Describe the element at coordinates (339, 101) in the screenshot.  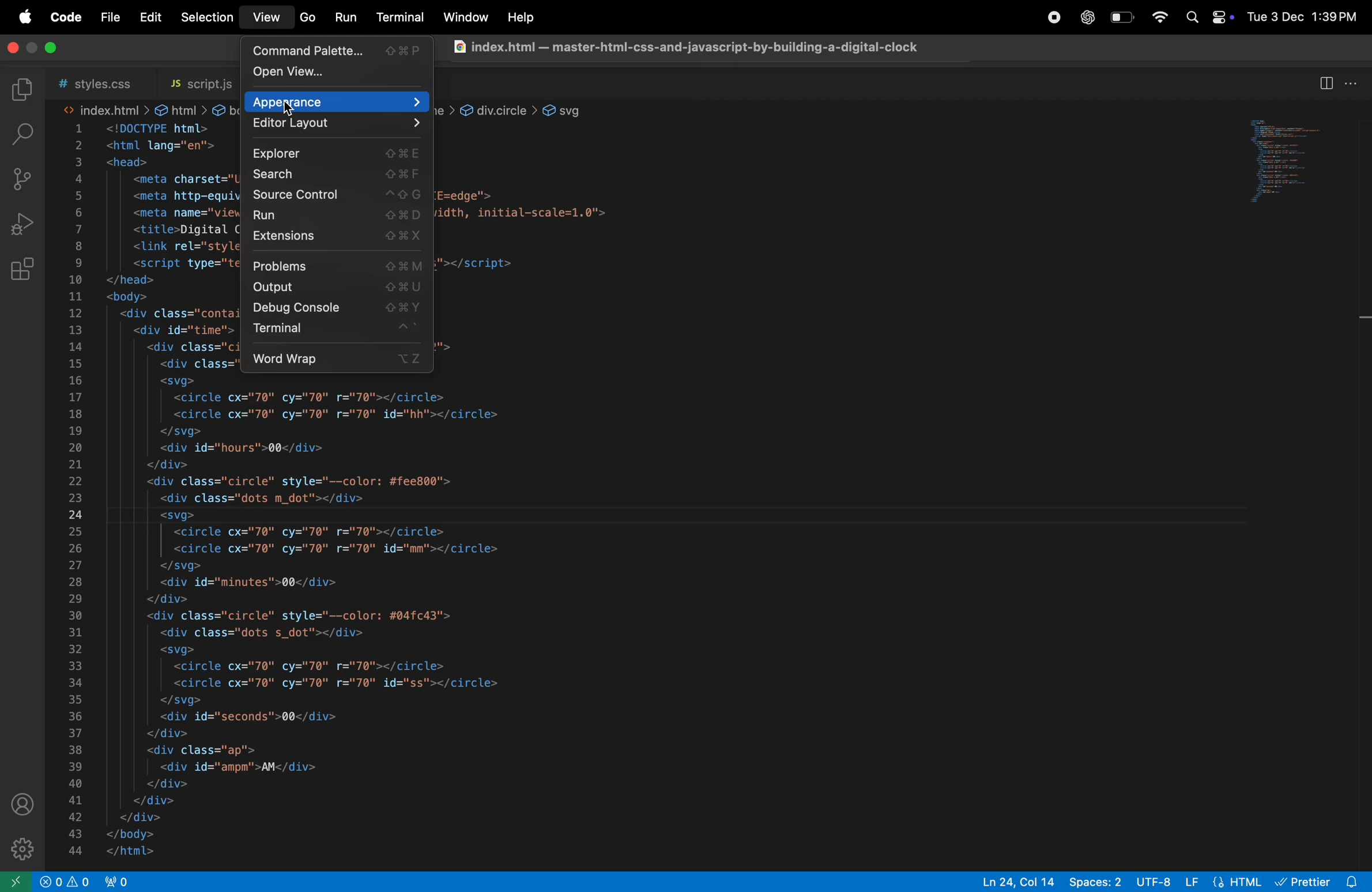
I see `apperance` at that location.